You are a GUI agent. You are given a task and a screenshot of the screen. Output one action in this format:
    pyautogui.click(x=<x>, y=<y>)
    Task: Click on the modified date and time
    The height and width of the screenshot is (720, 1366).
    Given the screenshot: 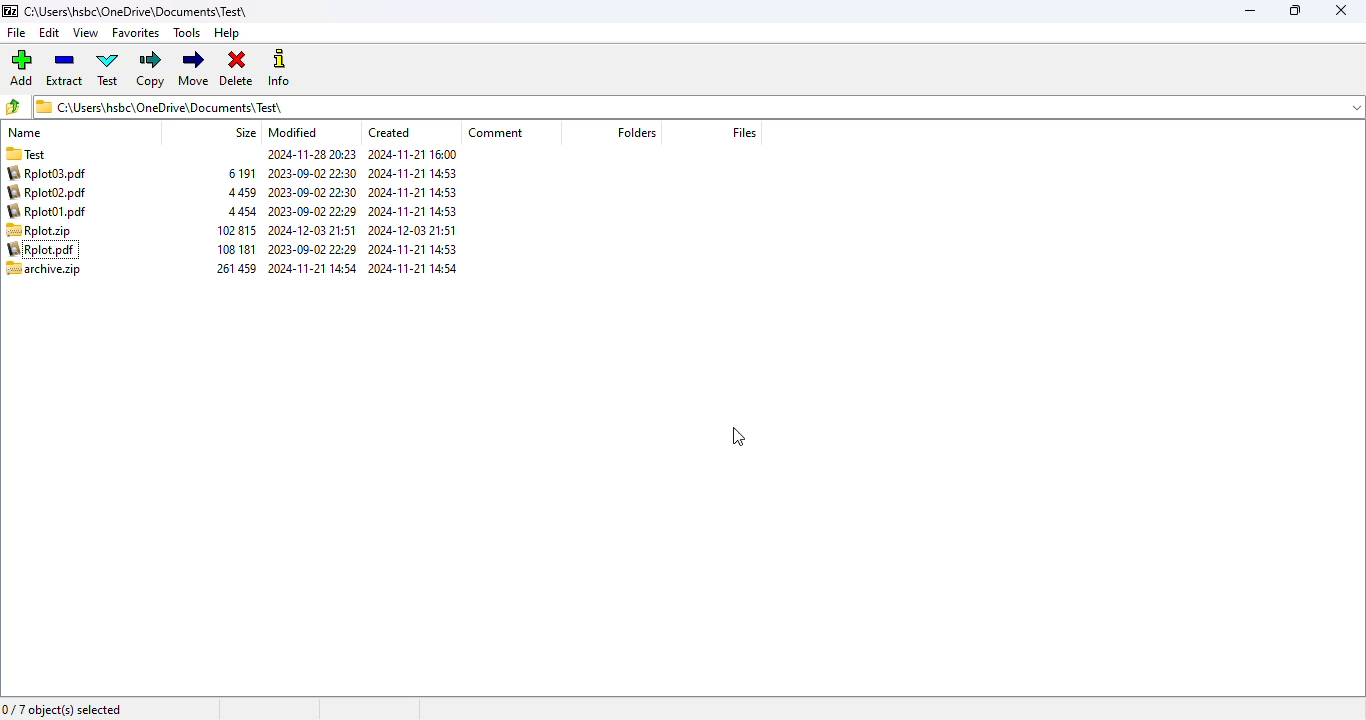 What is the action you would take?
    pyautogui.click(x=311, y=260)
    